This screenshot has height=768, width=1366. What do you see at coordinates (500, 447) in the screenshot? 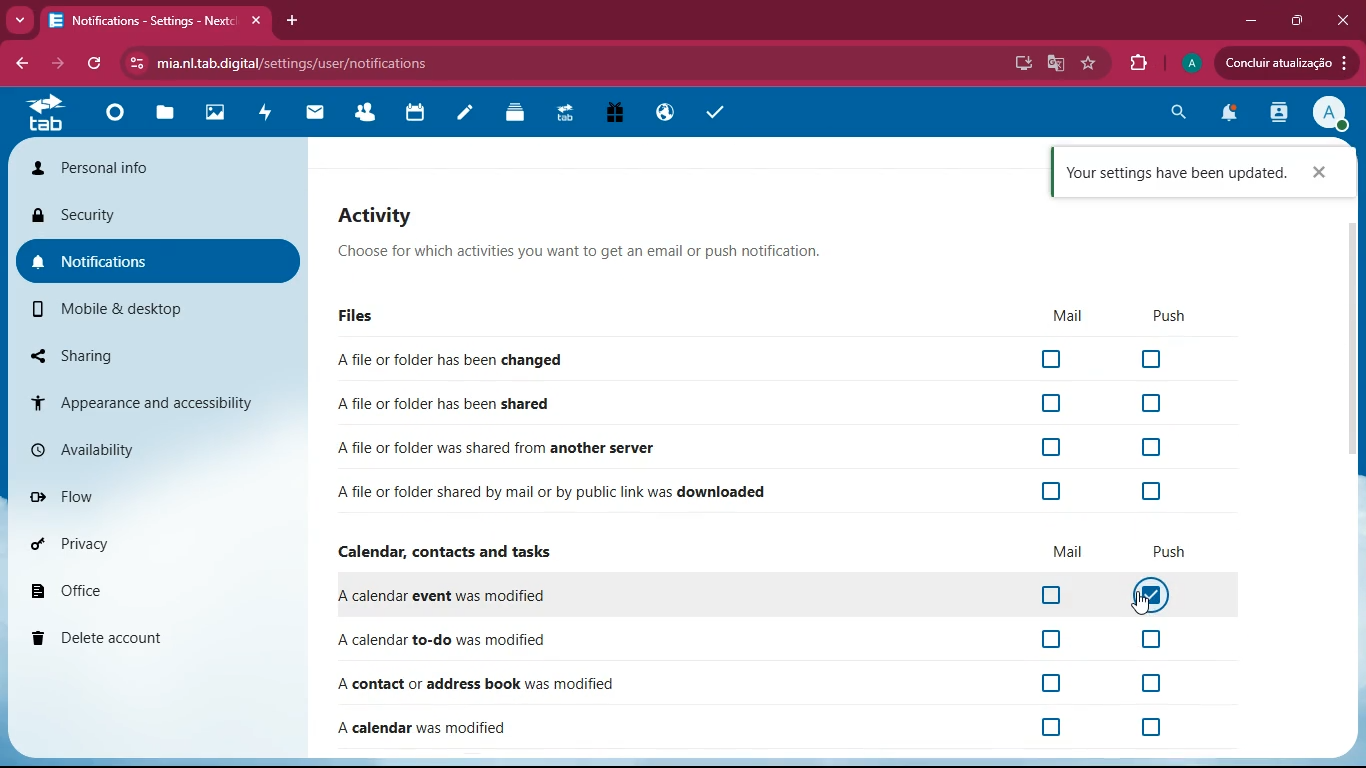
I see `A file or folder was shared from another server` at bounding box center [500, 447].